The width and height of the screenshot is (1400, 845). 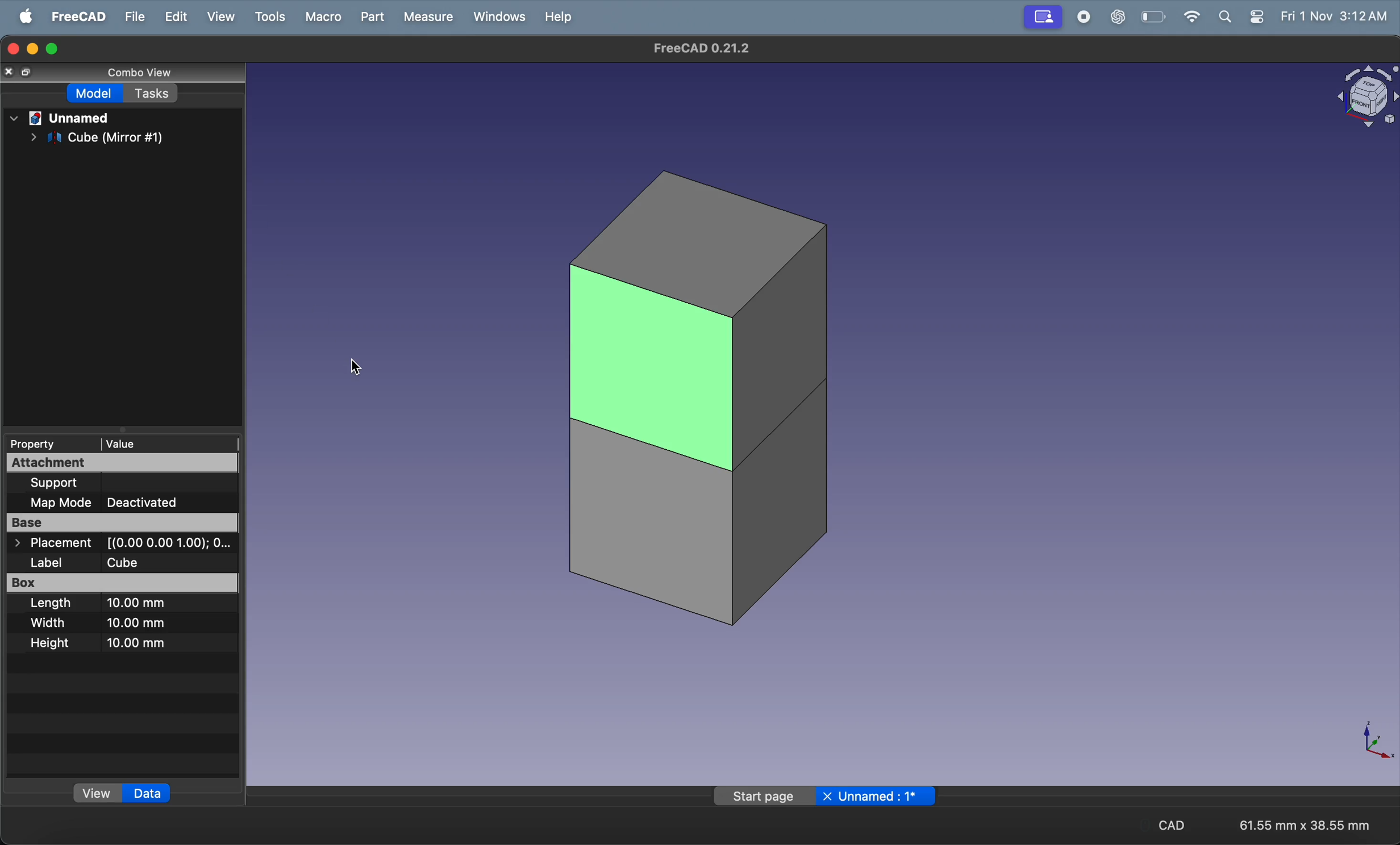 What do you see at coordinates (162, 445) in the screenshot?
I see `value` at bounding box center [162, 445].